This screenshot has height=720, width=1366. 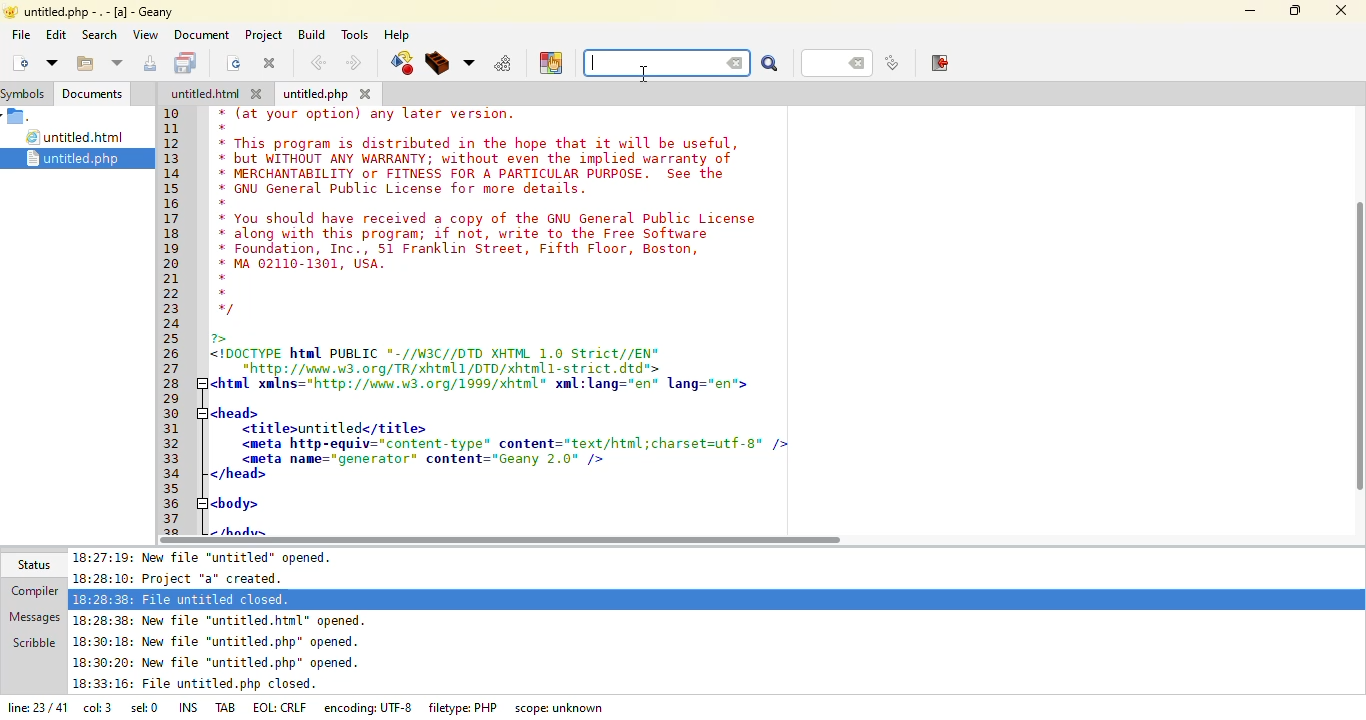 What do you see at coordinates (32, 564) in the screenshot?
I see `status` at bounding box center [32, 564].